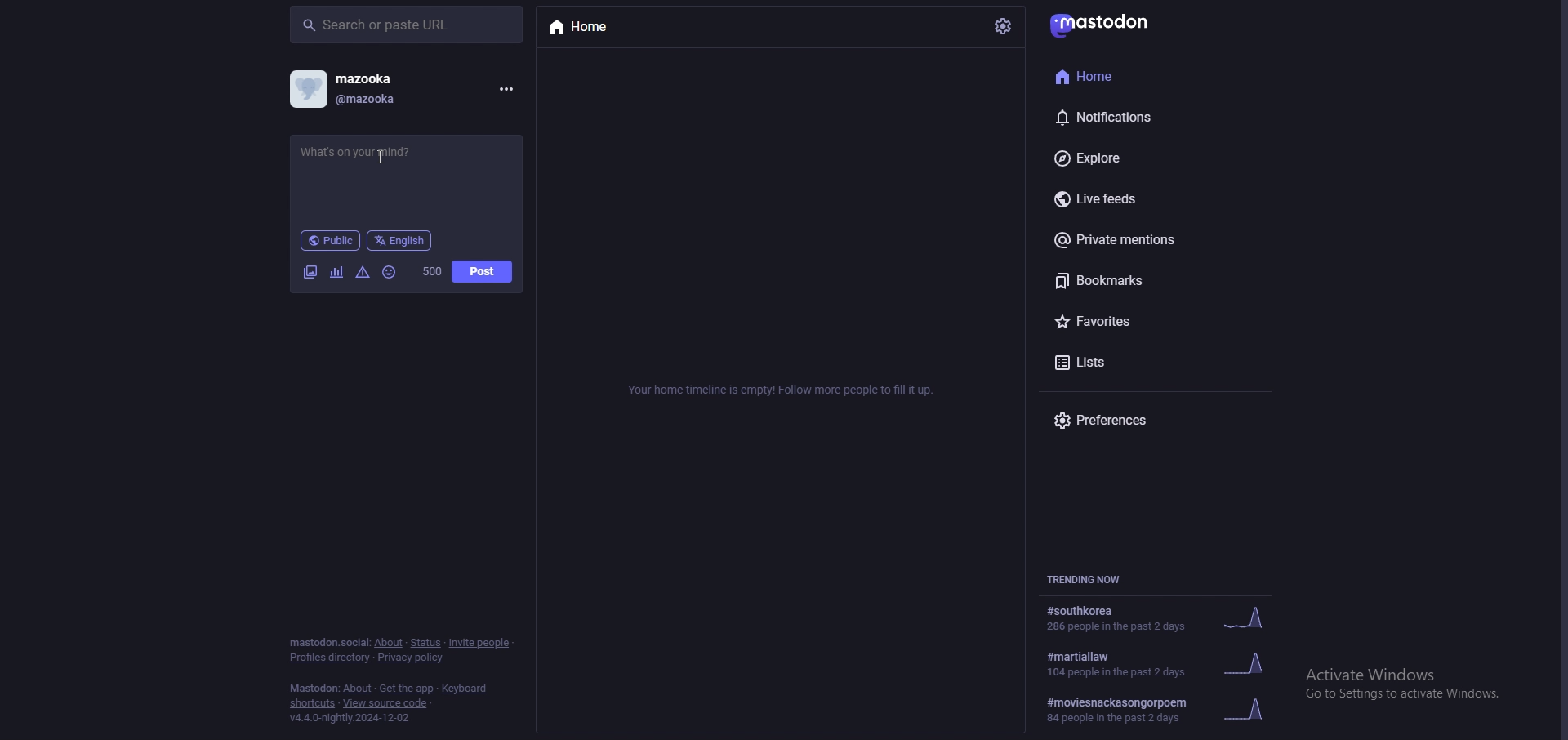  I want to click on trending, so click(1157, 617).